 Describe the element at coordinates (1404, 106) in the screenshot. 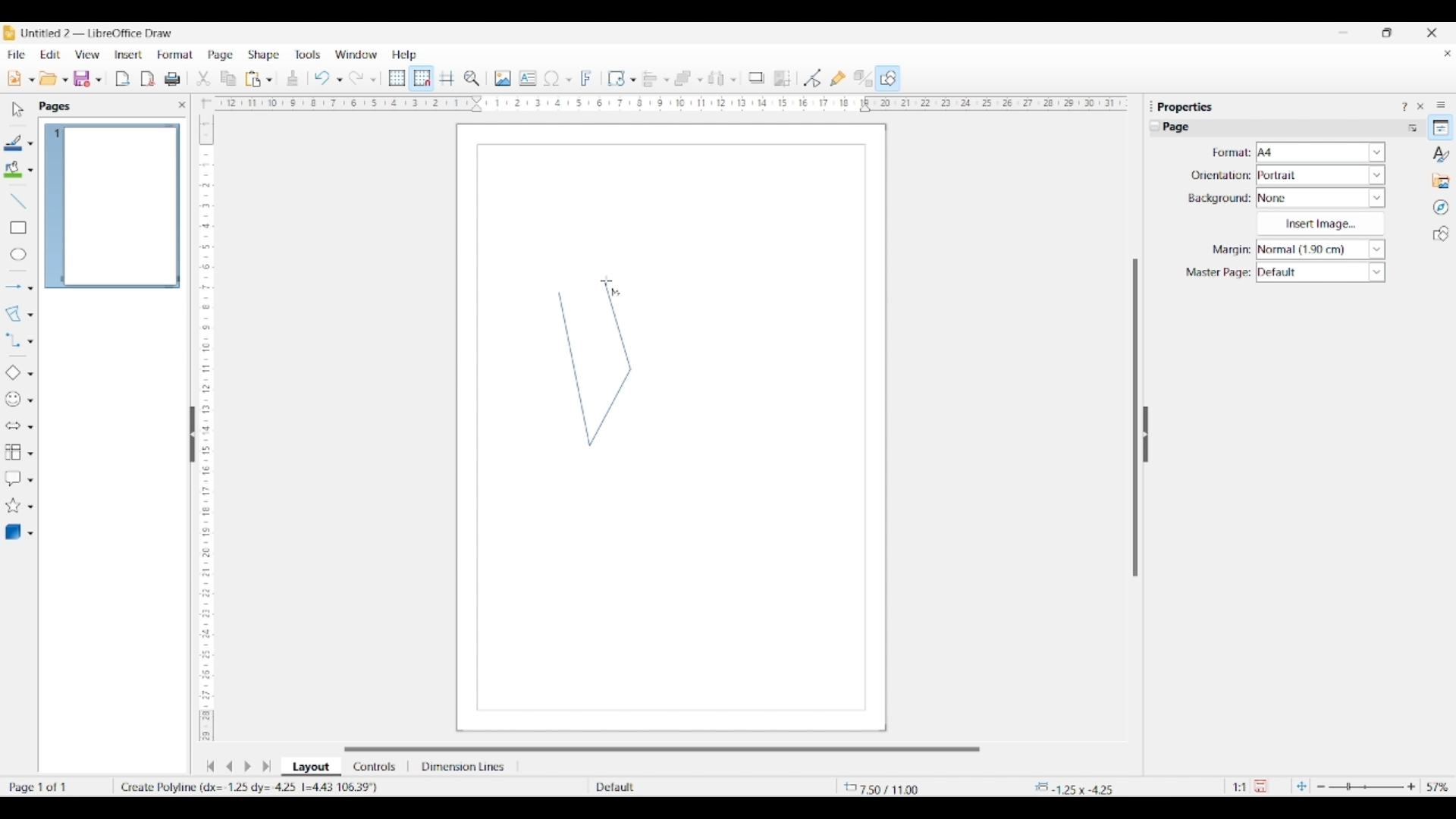

I see `Help about this sidebar` at that location.